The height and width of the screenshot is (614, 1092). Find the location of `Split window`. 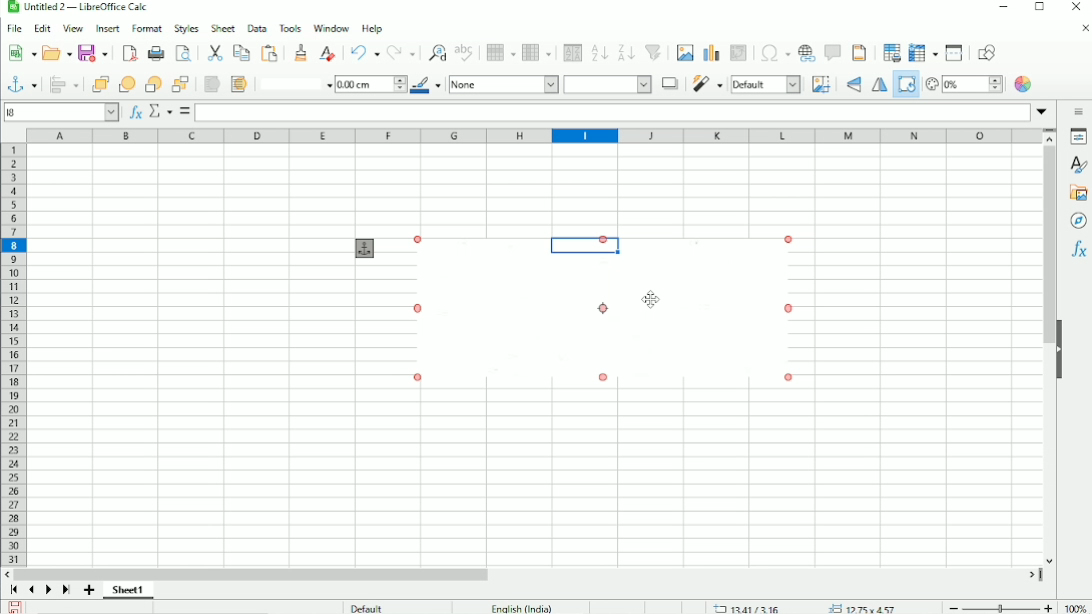

Split window is located at coordinates (954, 53).